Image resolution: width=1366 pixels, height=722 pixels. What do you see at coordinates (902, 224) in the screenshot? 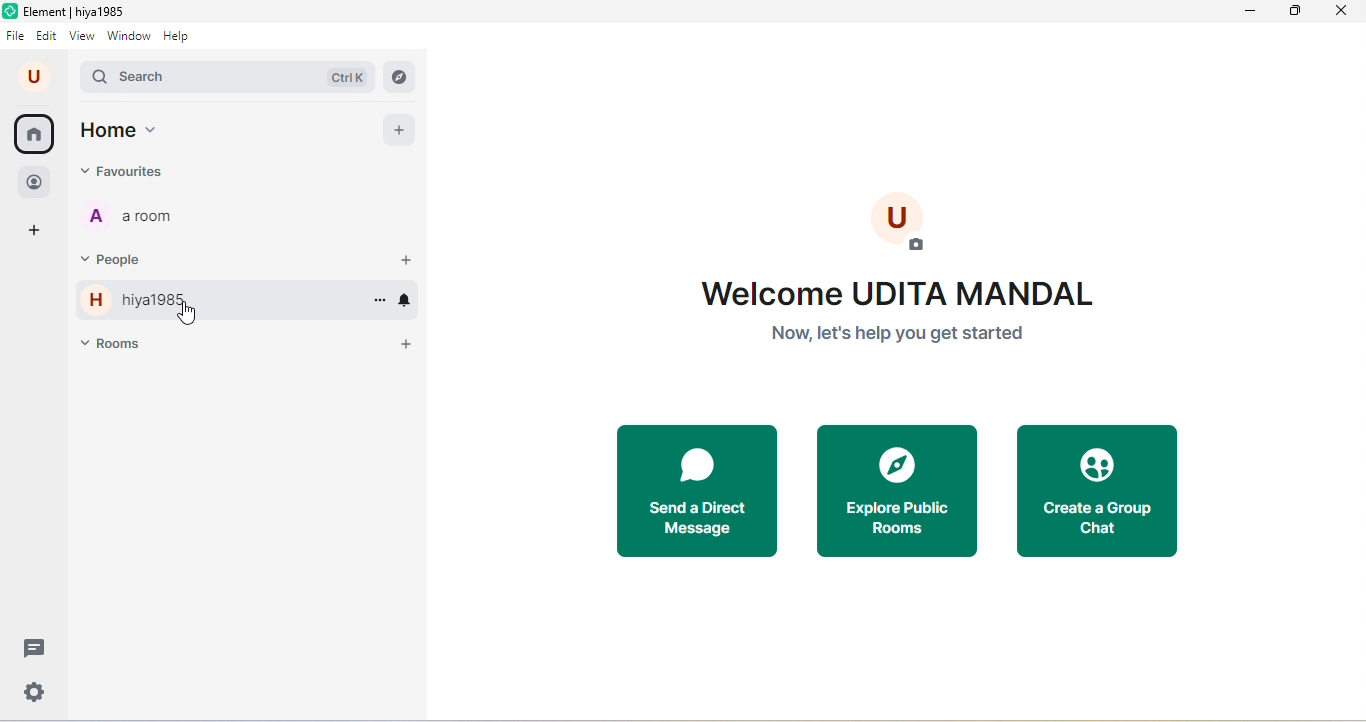
I see `U Profile` at bounding box center [902, 224].